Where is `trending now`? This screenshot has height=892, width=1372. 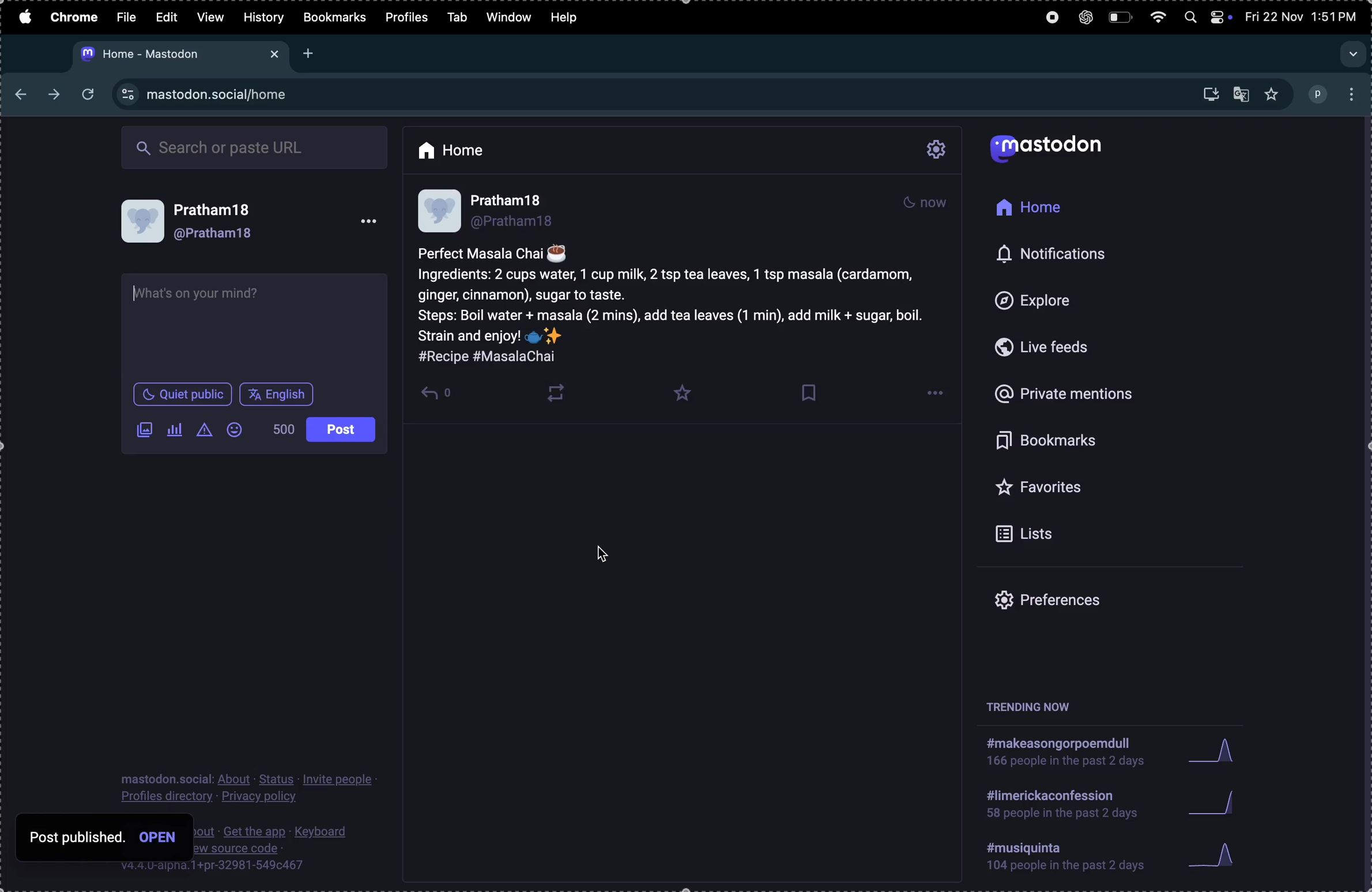 trending now is located at coordinates (1030, 705).